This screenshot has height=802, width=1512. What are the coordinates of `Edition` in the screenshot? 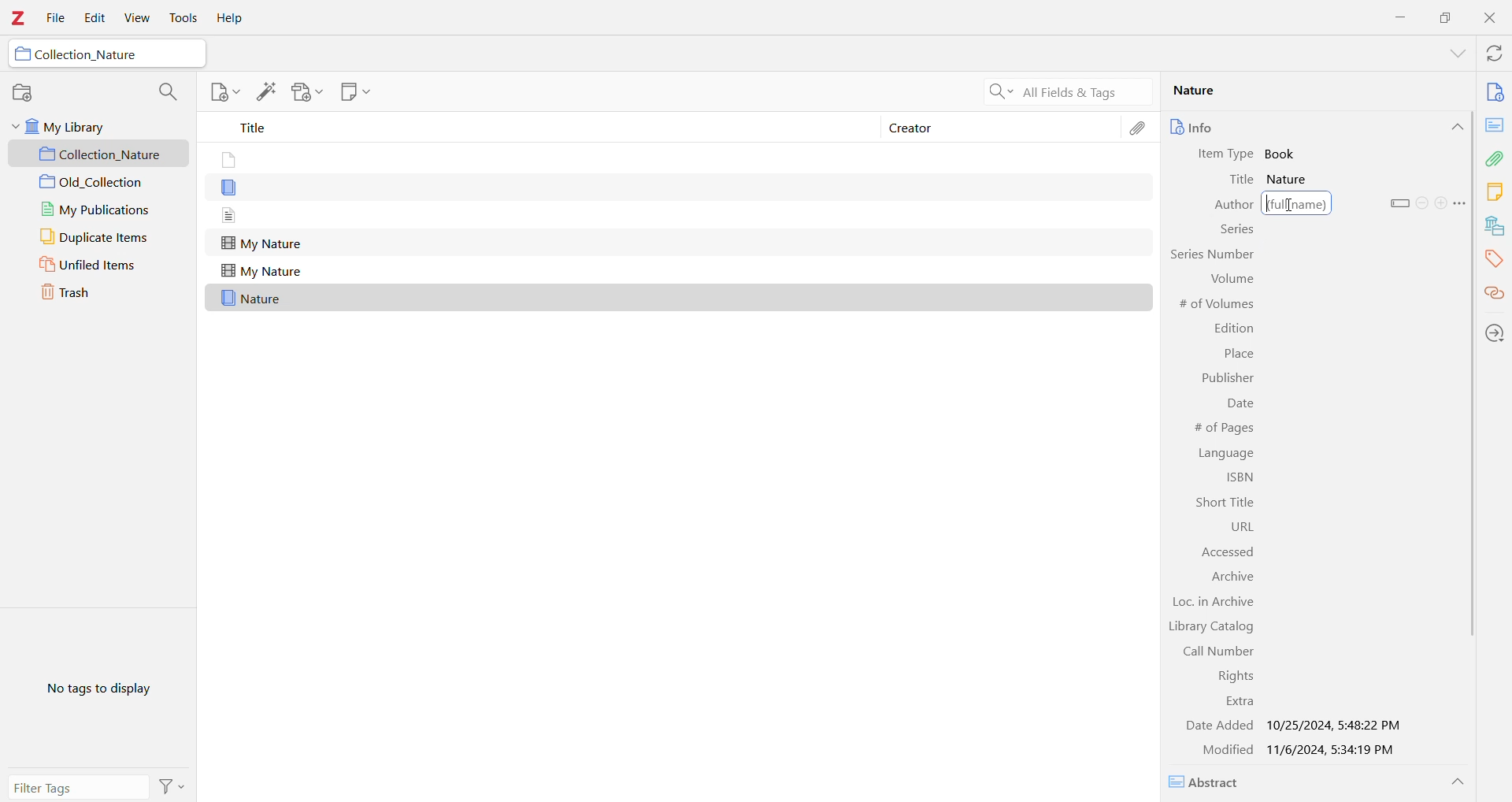 It's located at (1234, 329).